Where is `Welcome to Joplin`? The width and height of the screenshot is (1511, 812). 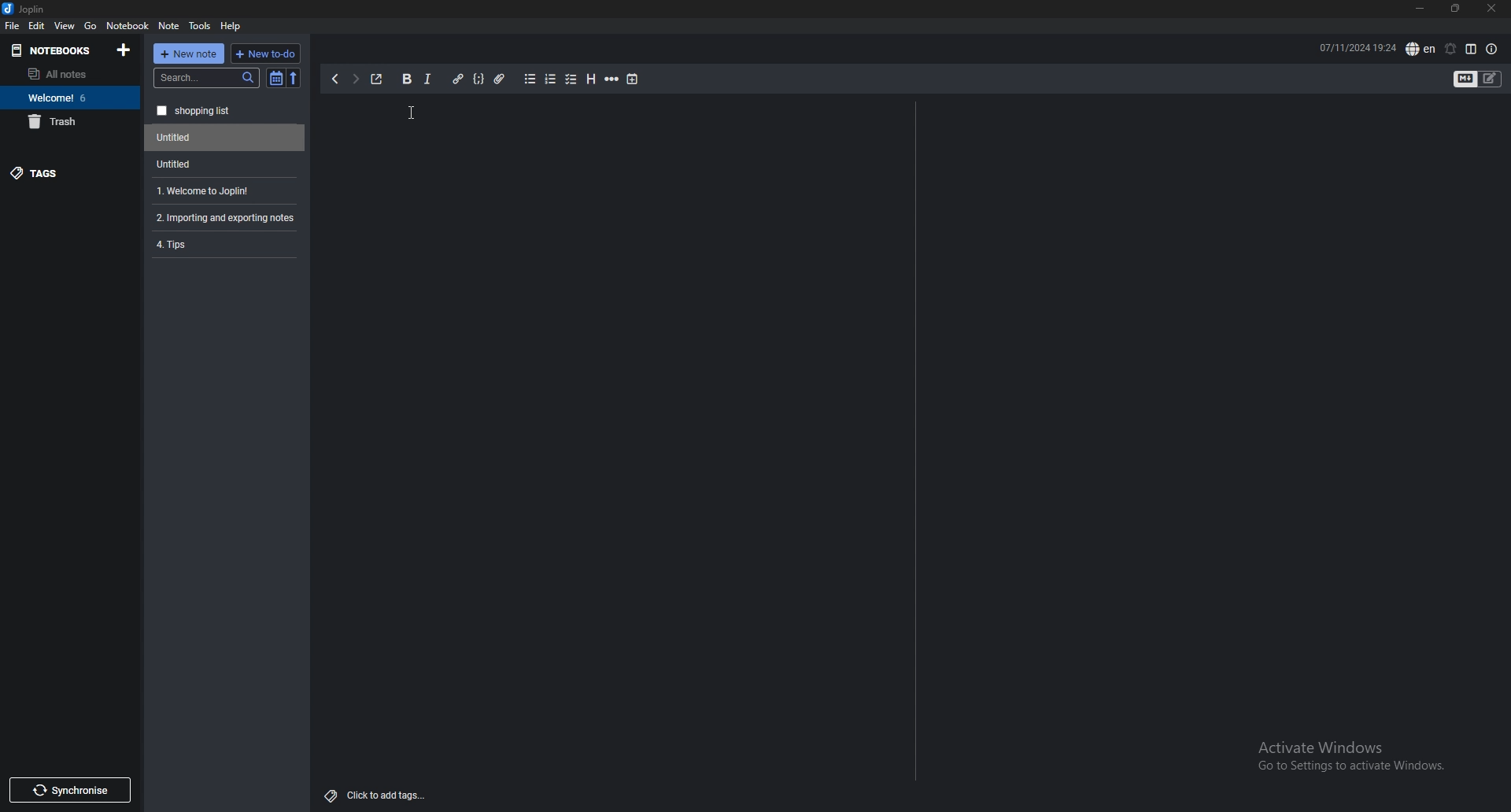
Welcome to Joplin is located at coordinates (222, 190).